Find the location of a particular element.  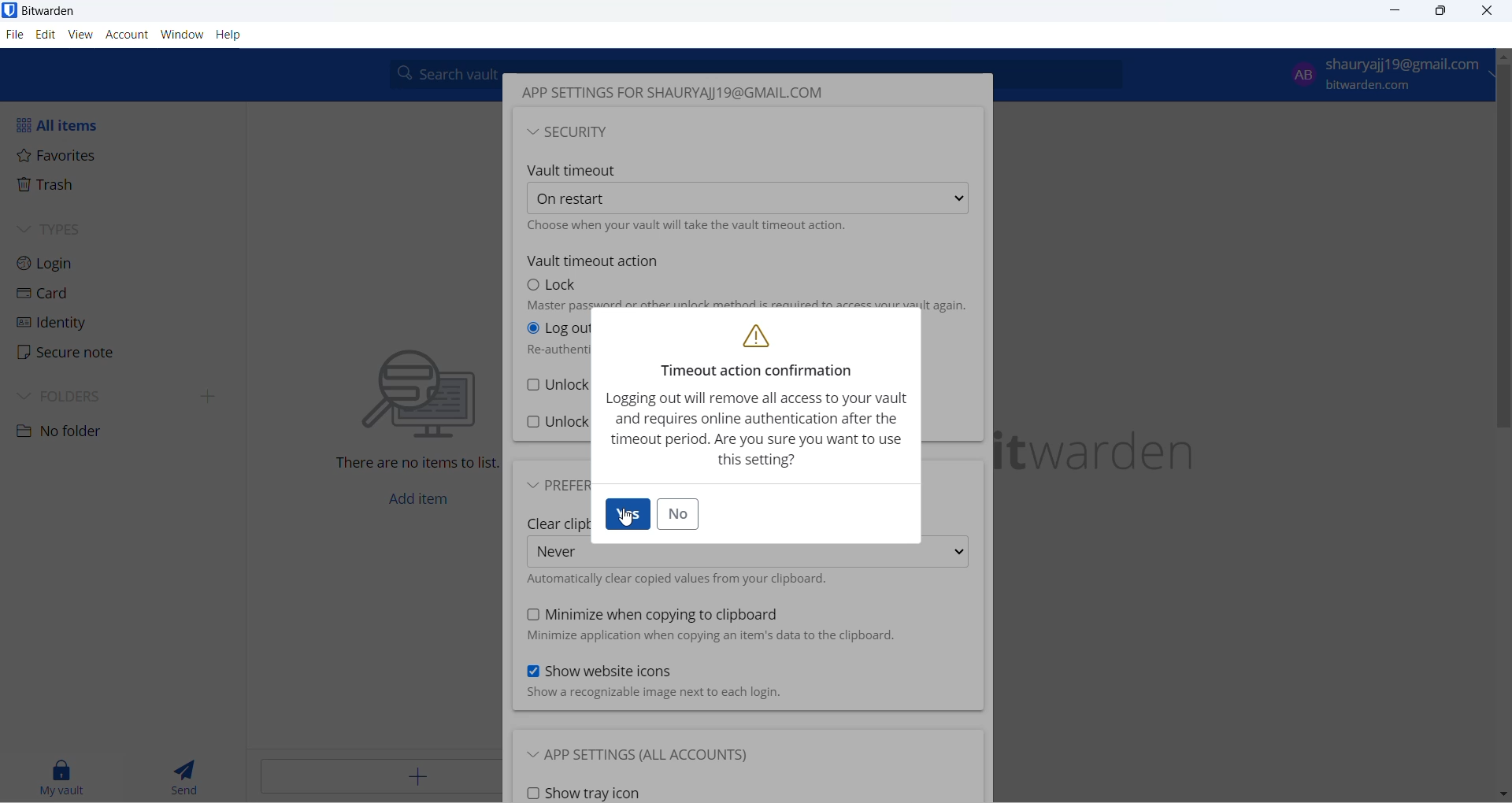

text and graphics is located at coordinates (395, 405).